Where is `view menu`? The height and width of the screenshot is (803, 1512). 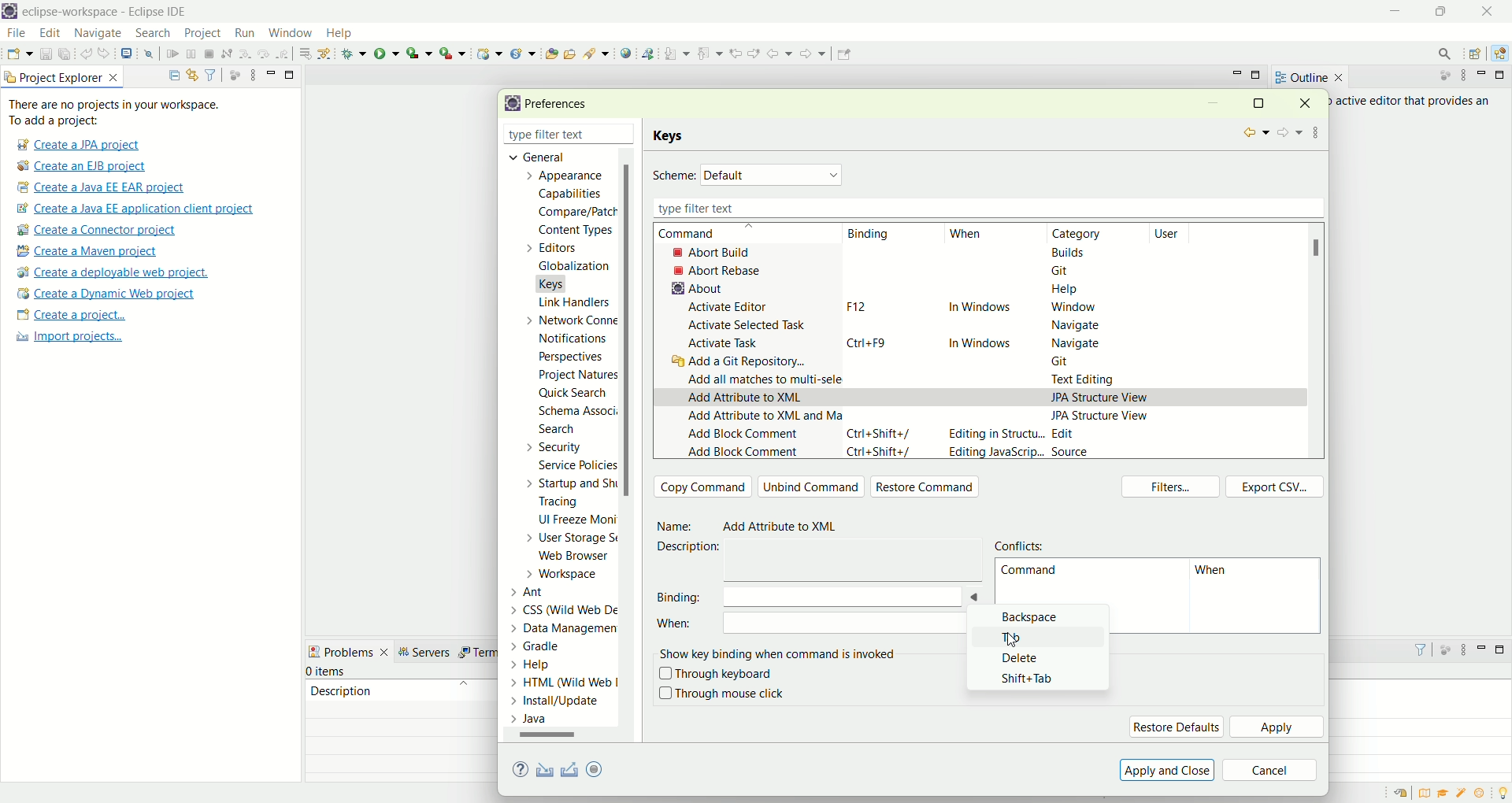 view menu is located at coordinates (251, 74).